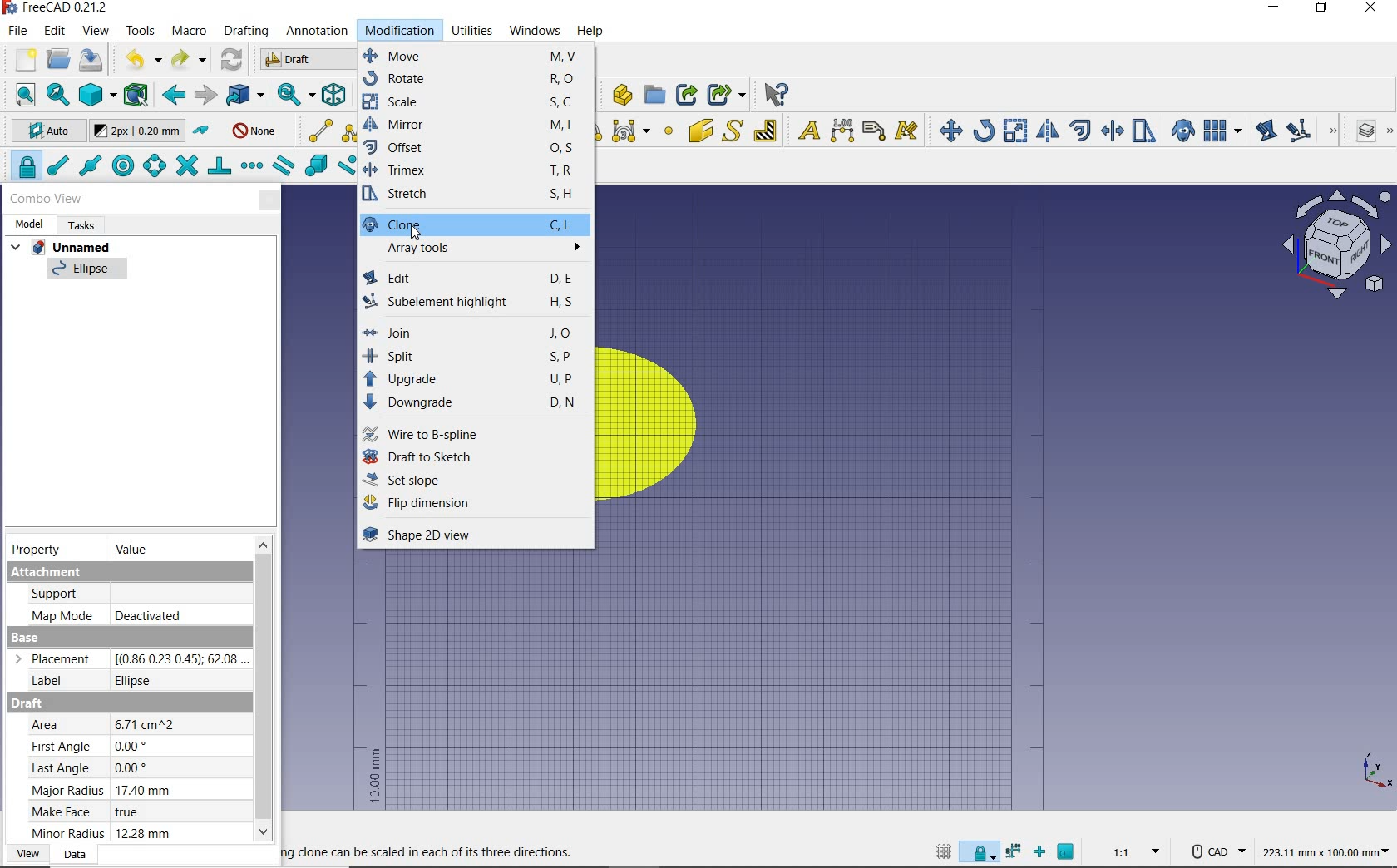 The image size is (1397, 868). What do you see at coordinates (702, 132) in the screenshot?
I see `face binder` at bounding box center [702, 132].